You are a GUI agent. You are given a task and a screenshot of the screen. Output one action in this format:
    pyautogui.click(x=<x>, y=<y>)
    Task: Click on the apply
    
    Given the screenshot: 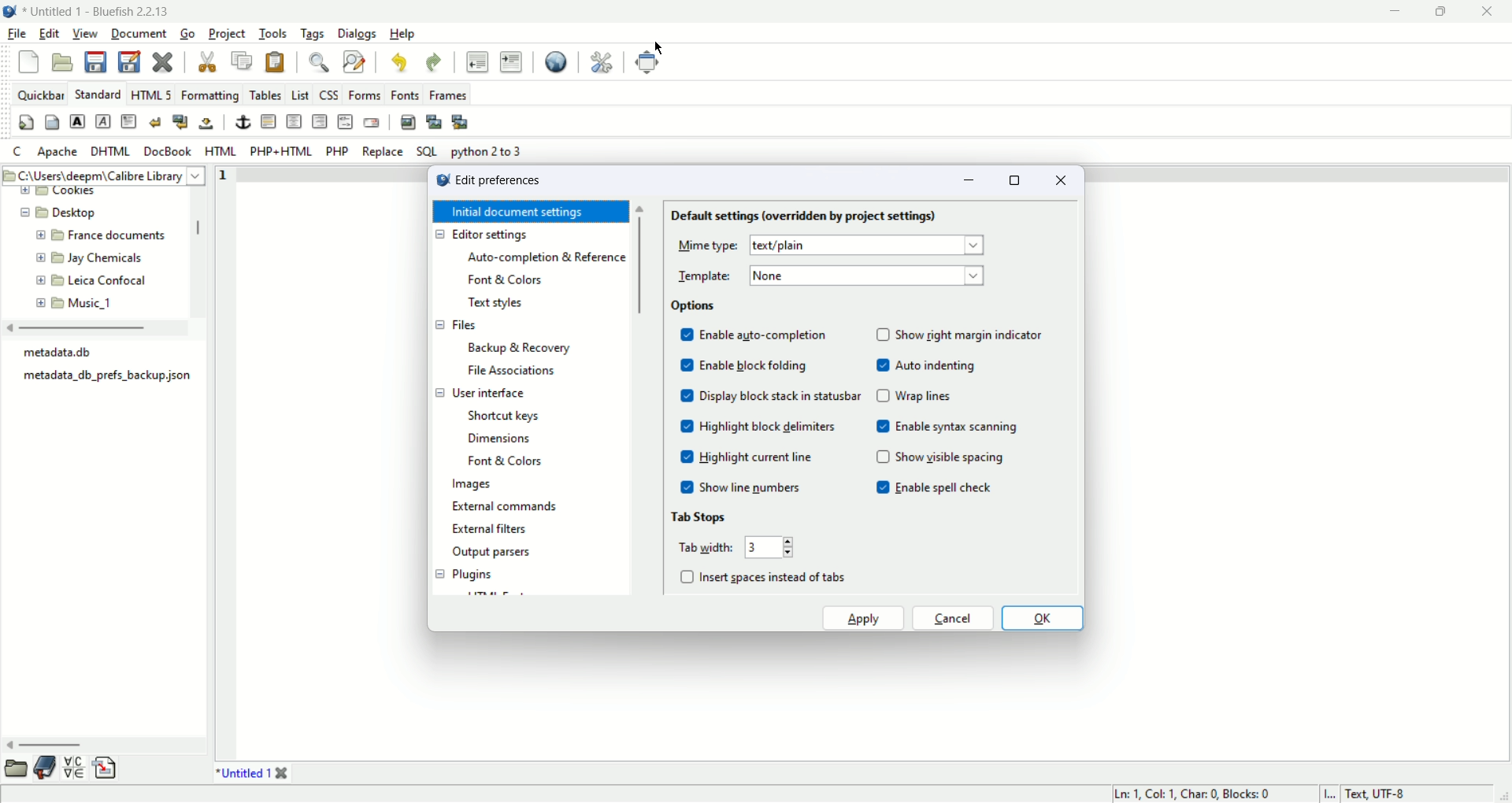 What is the action you would take?
    pyautogui.click(x=867, y=616)
    